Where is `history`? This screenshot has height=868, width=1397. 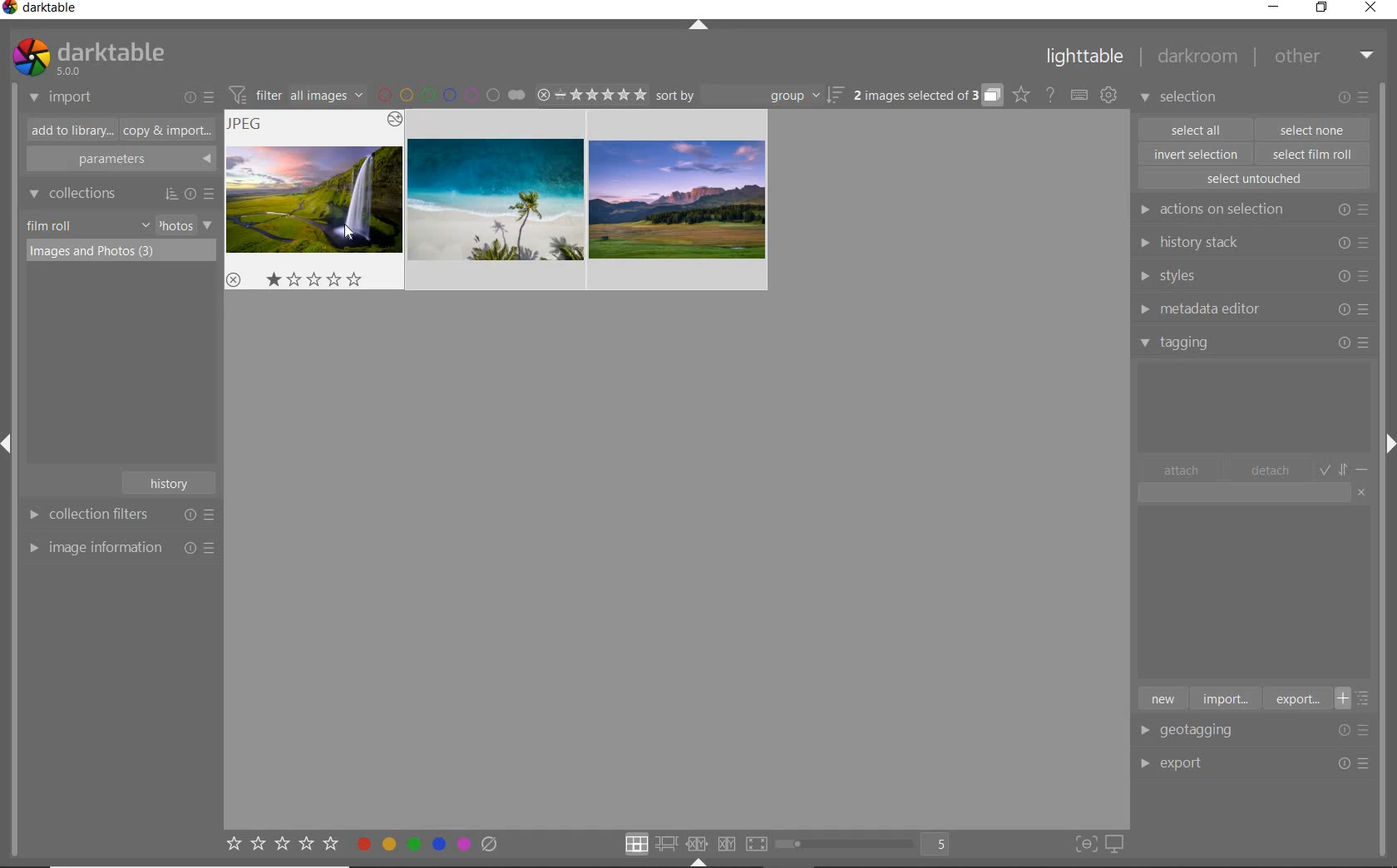 history is located at coordinates (171, 481).